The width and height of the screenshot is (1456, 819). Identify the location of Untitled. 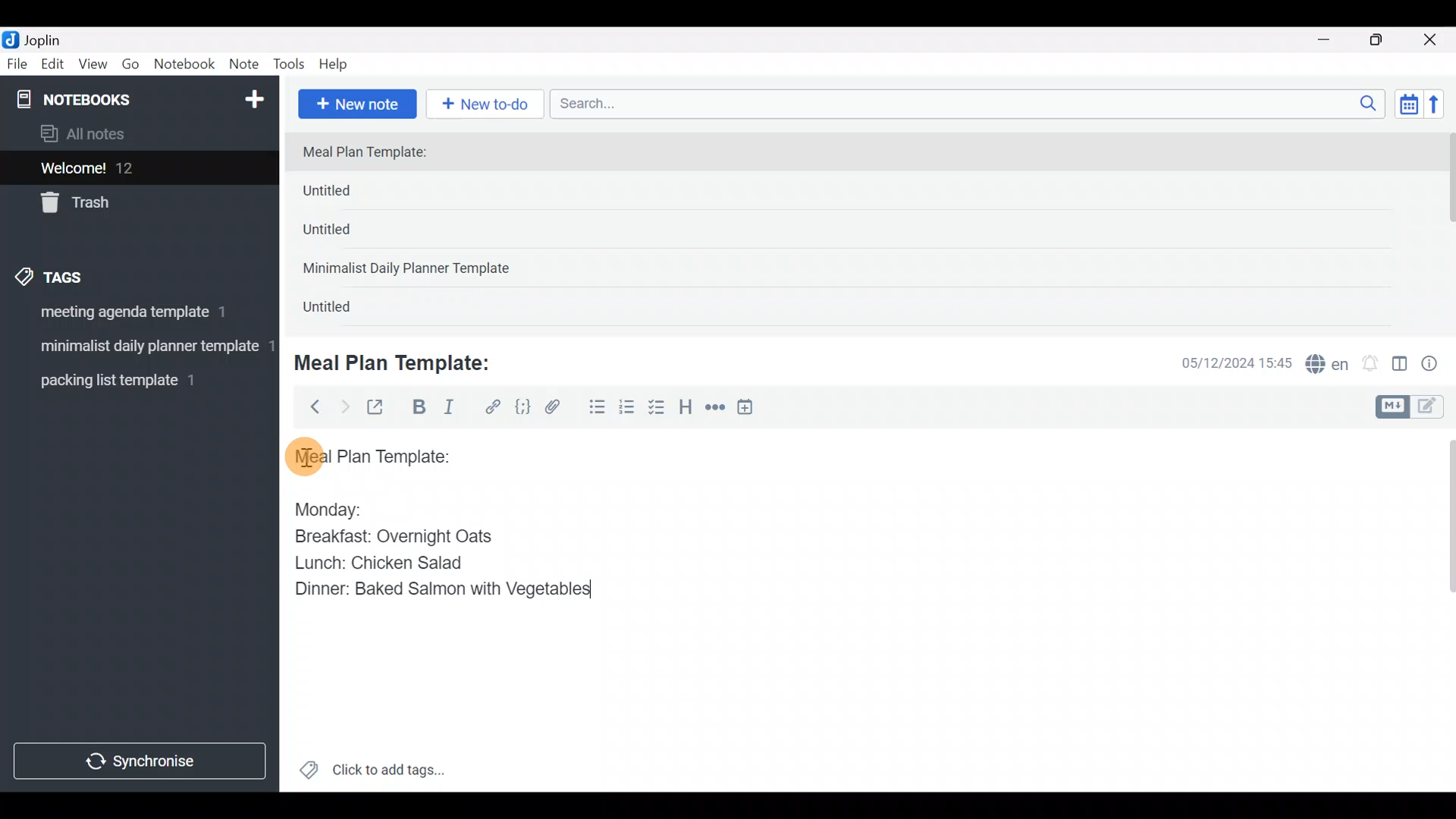
(352, 194).